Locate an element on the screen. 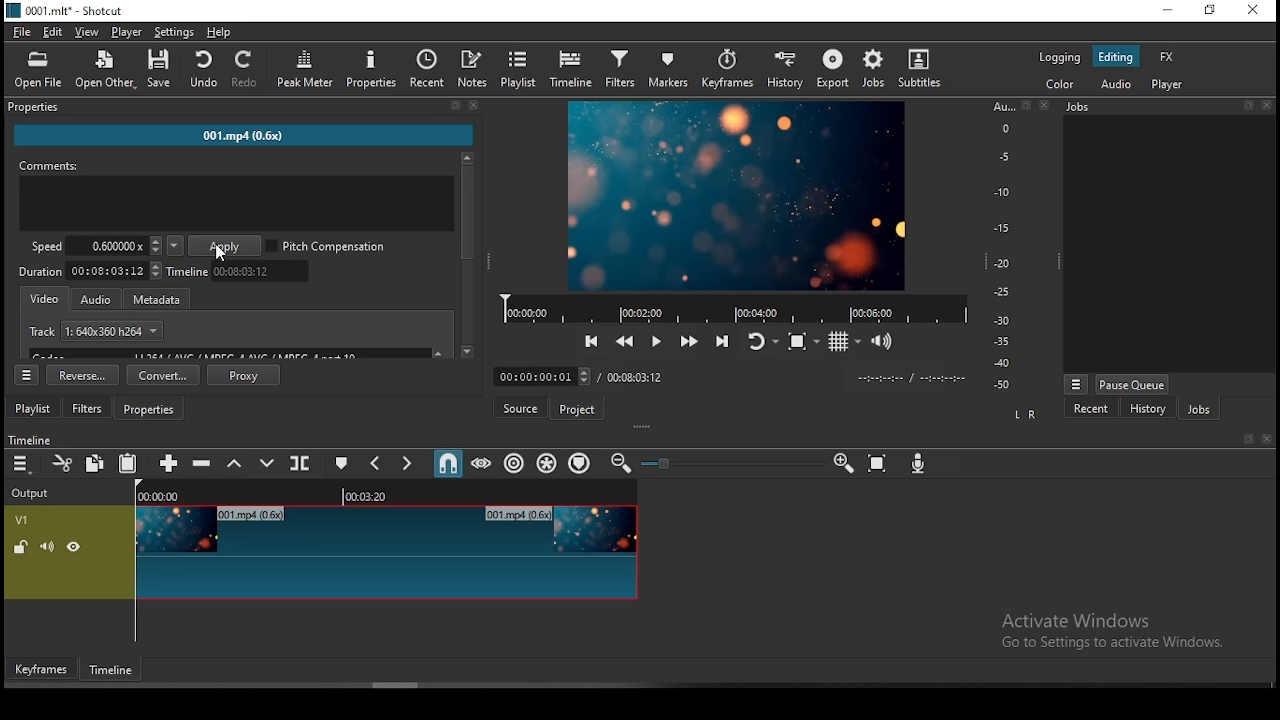 Image resolution: width=1280 pixels, height=720 pixels. Detach is located at coordinates (1026, 105).